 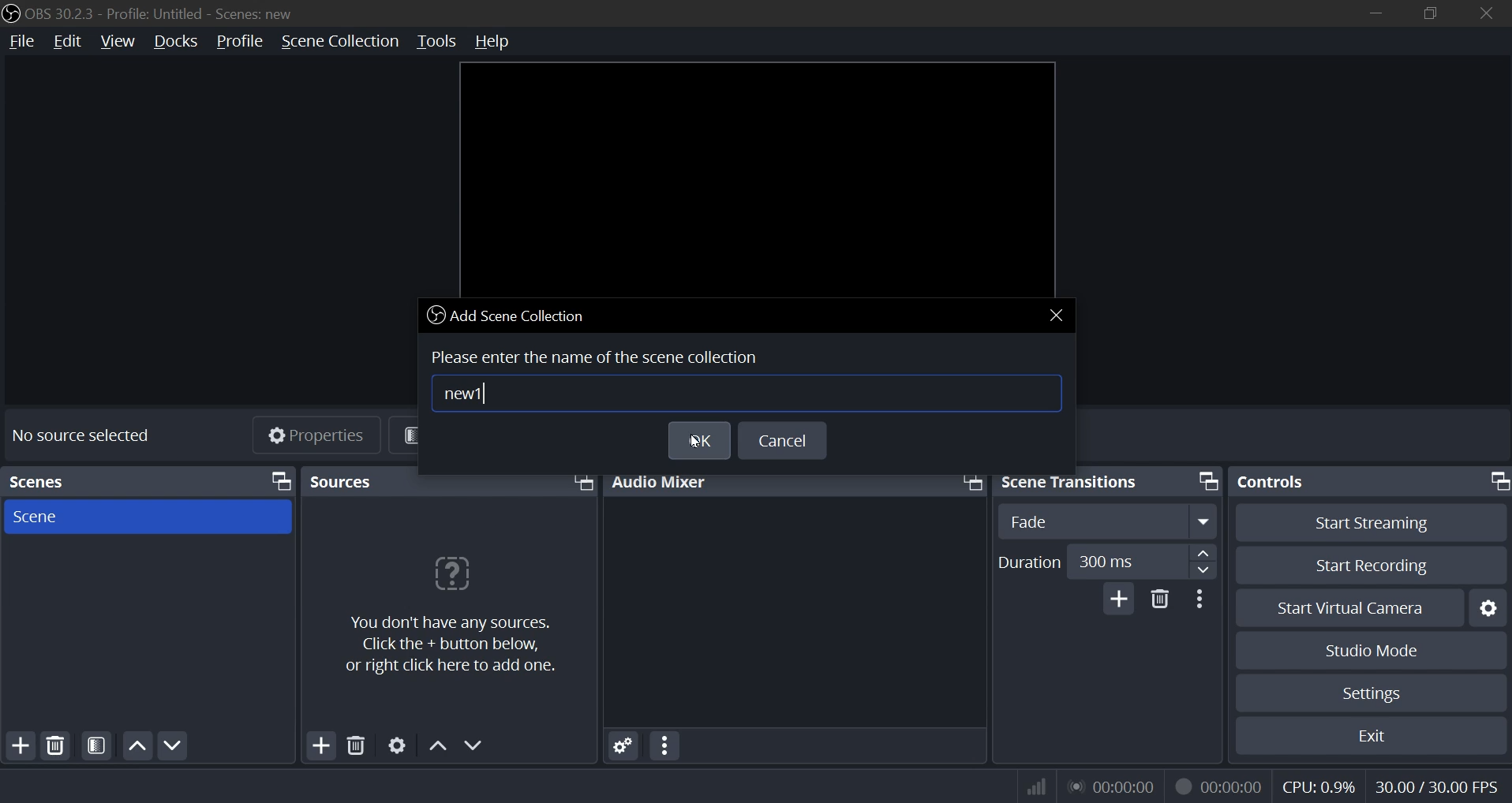 What do you see at coordinates (10, 12) in the screenshot?
I see `logo` at bounding box center [10, 12].